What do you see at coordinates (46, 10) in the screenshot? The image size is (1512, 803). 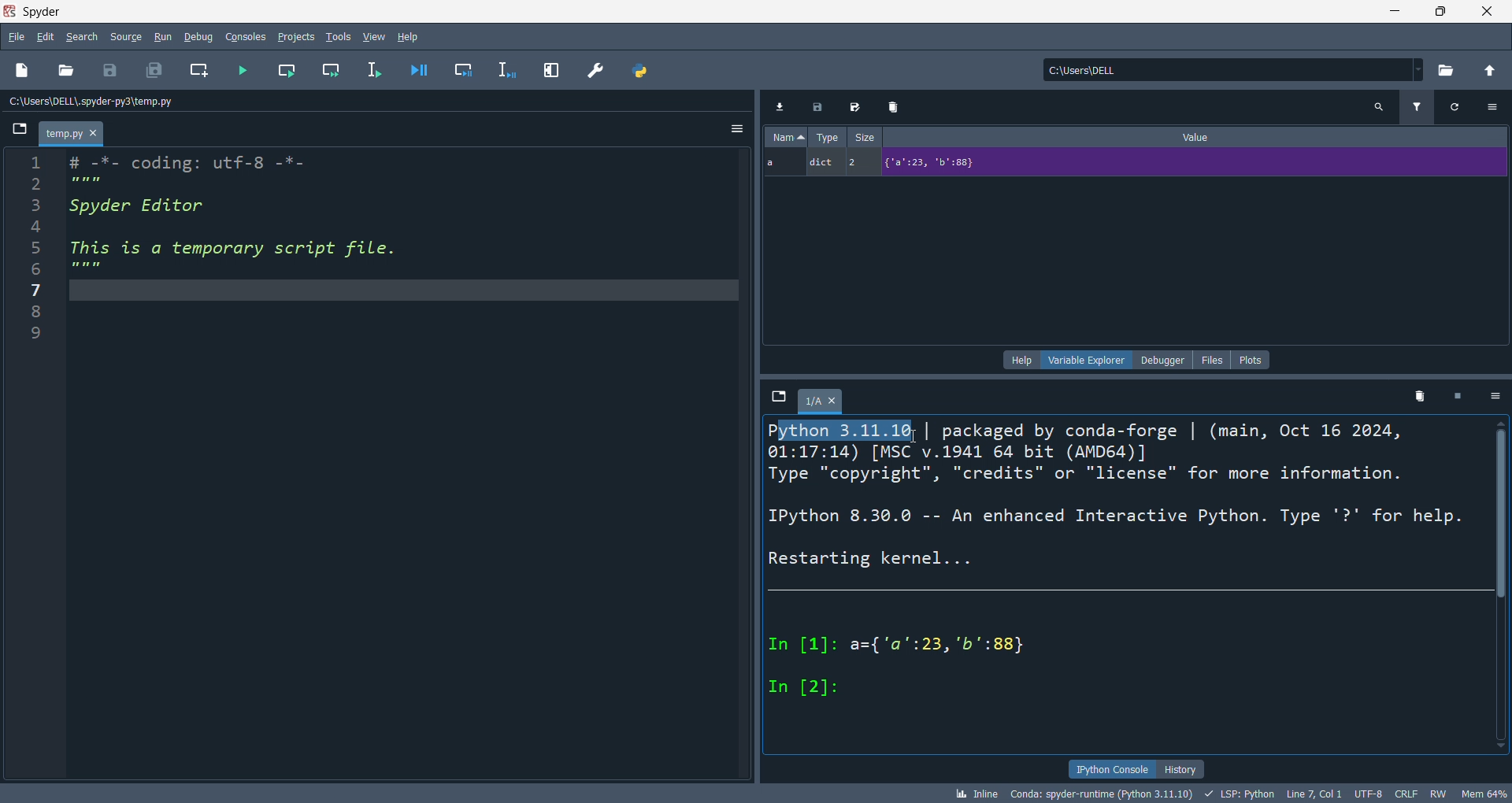 I see `spyder` at bounding box center [46, 10].